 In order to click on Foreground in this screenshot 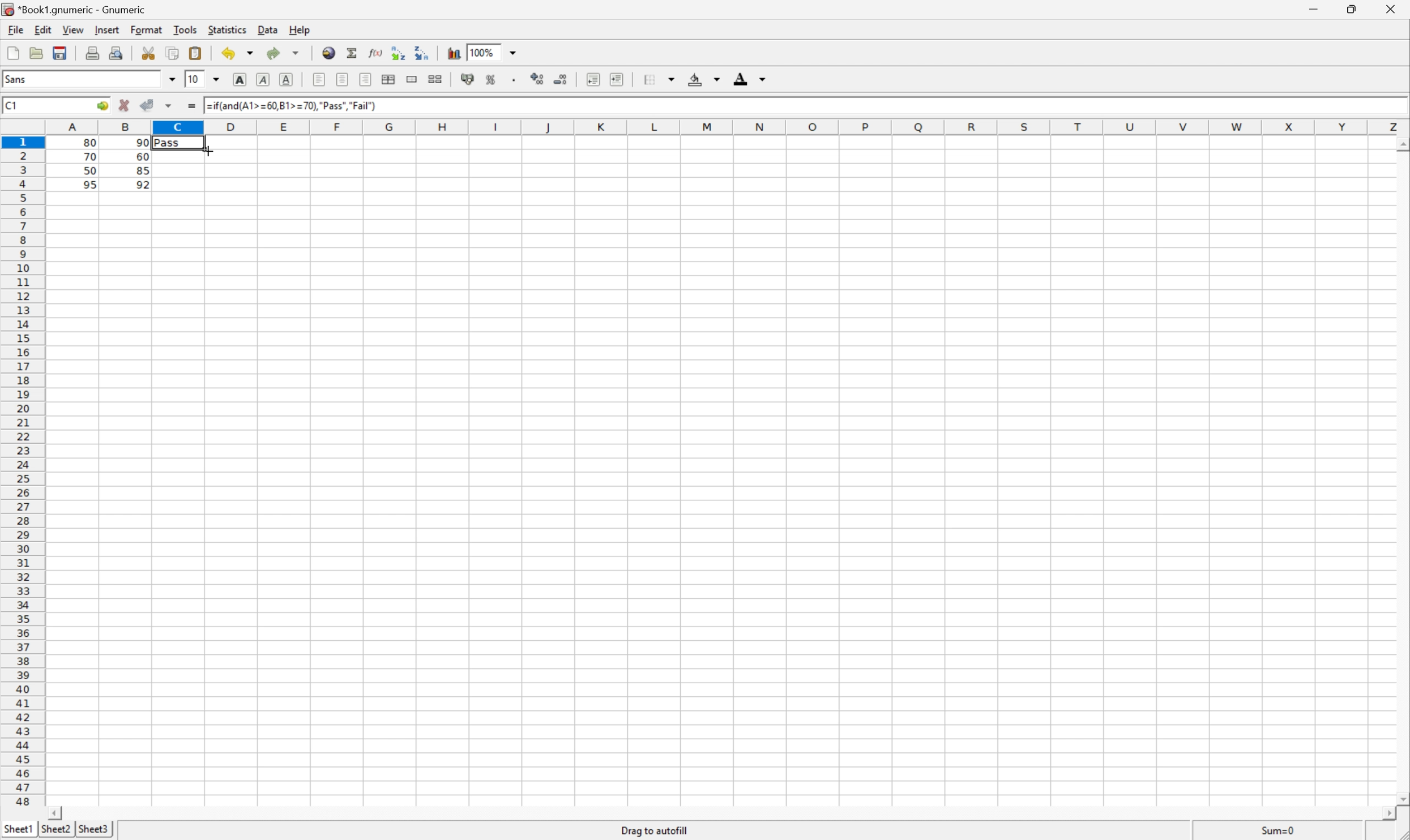, I will do `click(749, 76)`.